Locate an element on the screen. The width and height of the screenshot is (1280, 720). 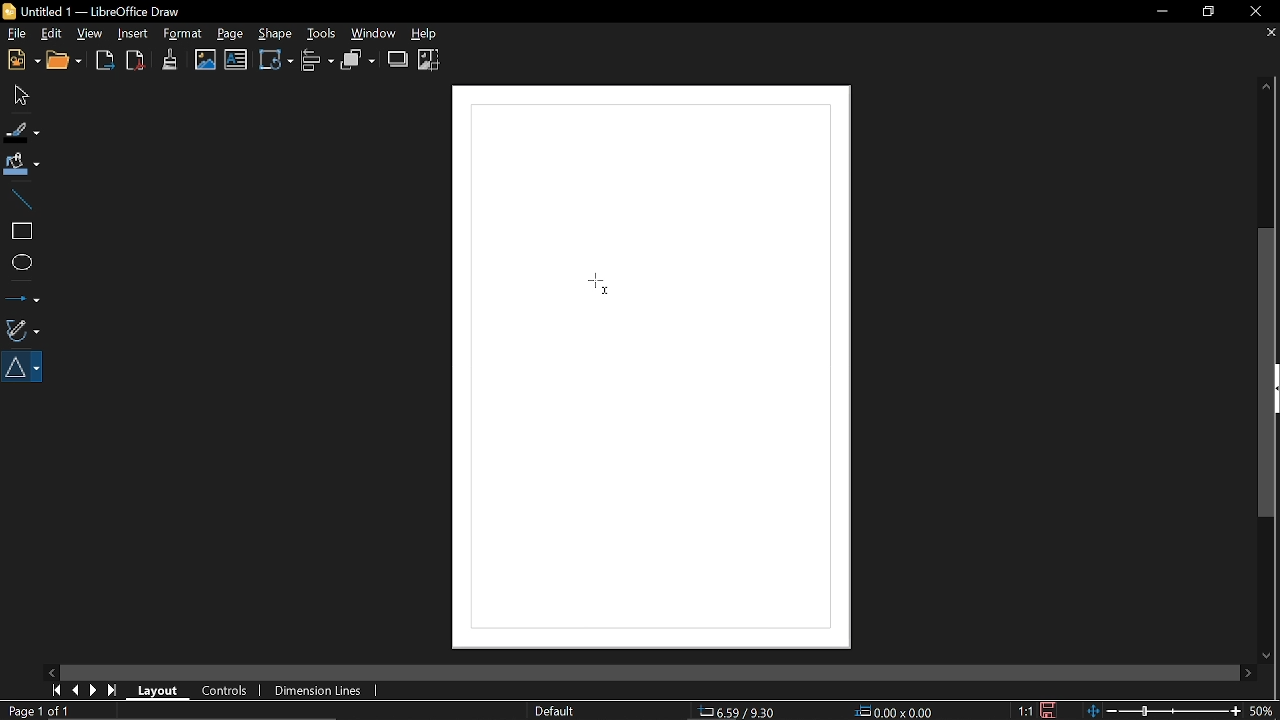
Select is located at coordinates (19, 94).